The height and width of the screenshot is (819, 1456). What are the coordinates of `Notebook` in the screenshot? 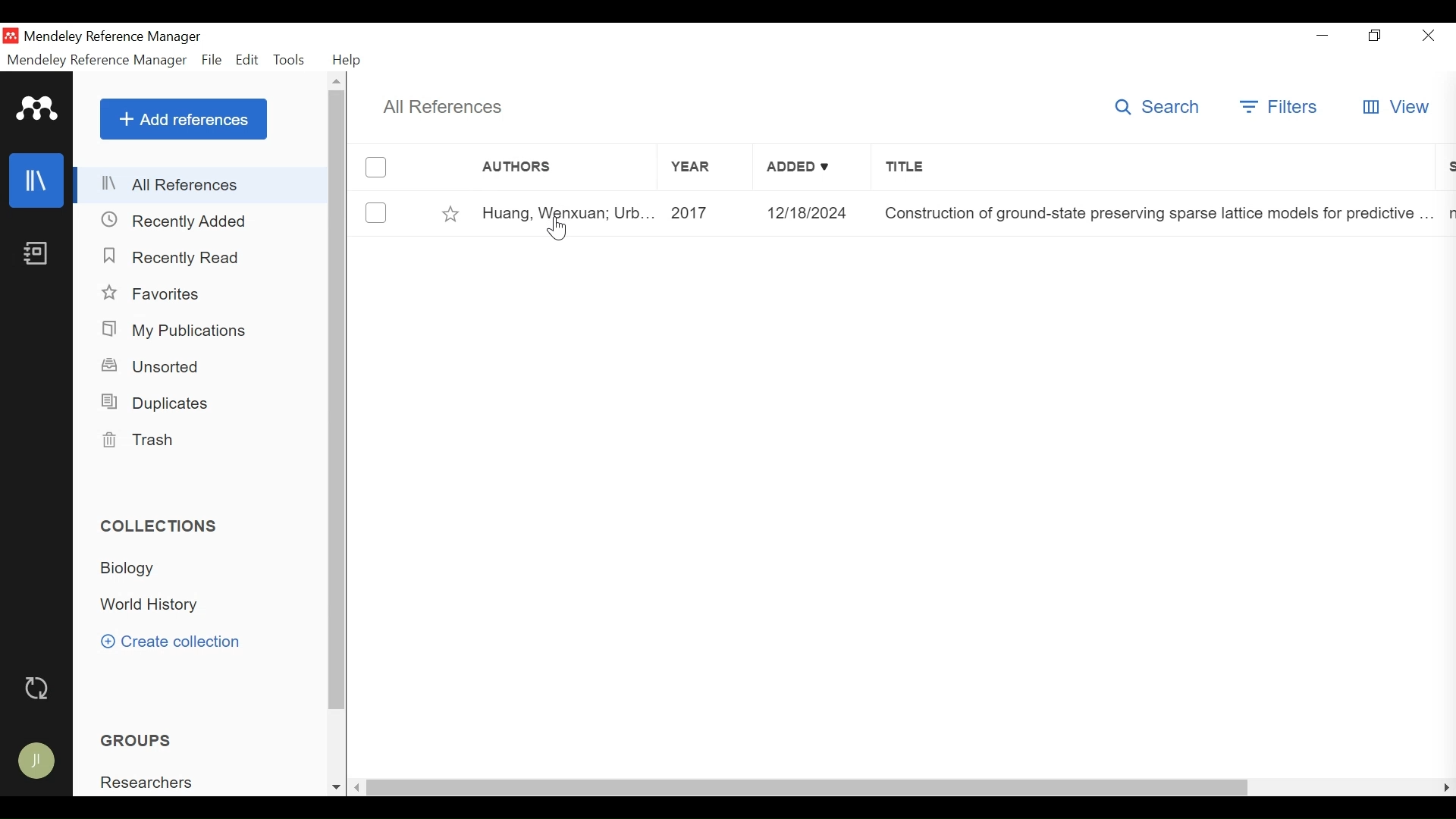 It's located at (39, 255).